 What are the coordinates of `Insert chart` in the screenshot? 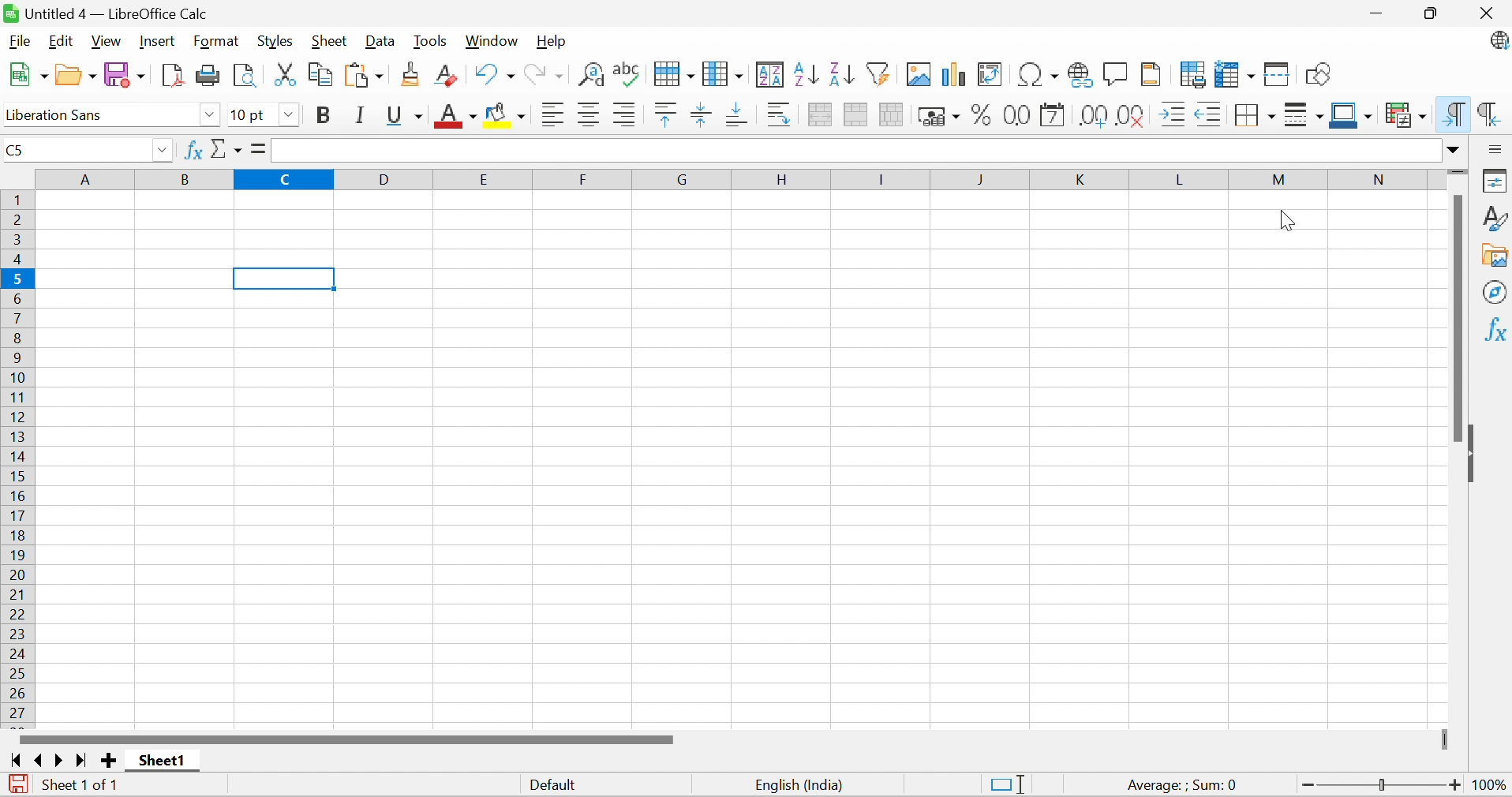 It's located at (955, 75).